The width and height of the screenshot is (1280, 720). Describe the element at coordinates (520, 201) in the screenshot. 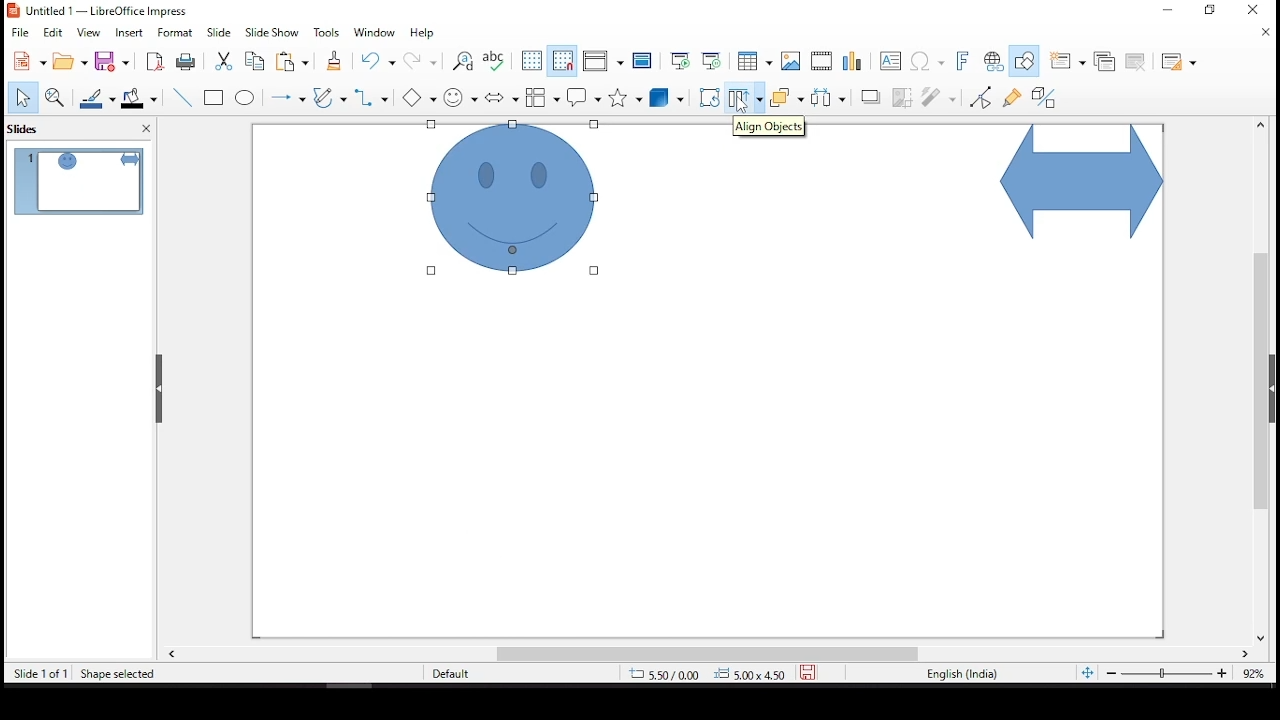

I see `object (selected)` at that location.